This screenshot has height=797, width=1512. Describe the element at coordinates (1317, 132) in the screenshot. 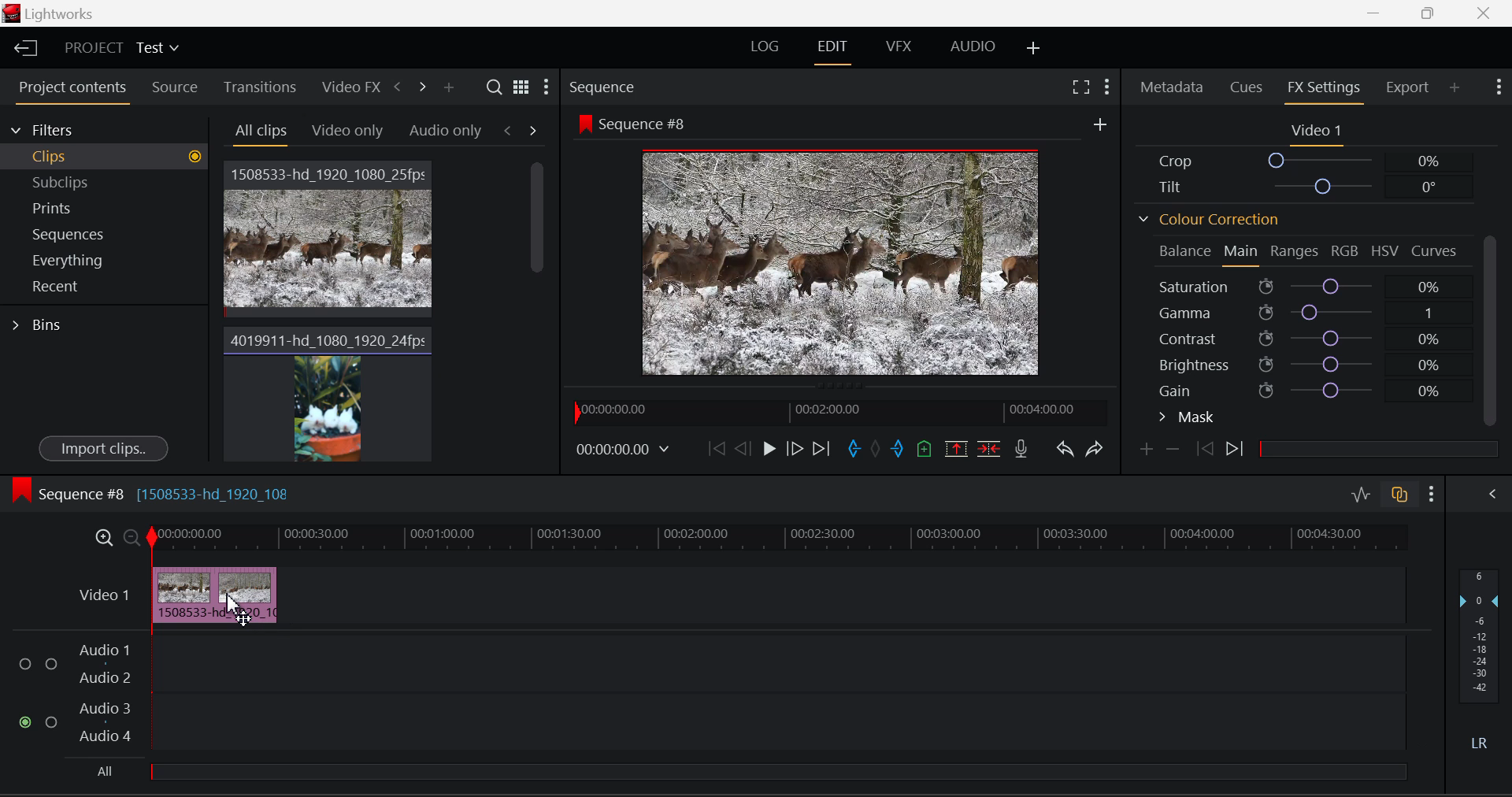

I see `Video 1 Settings` at that location.